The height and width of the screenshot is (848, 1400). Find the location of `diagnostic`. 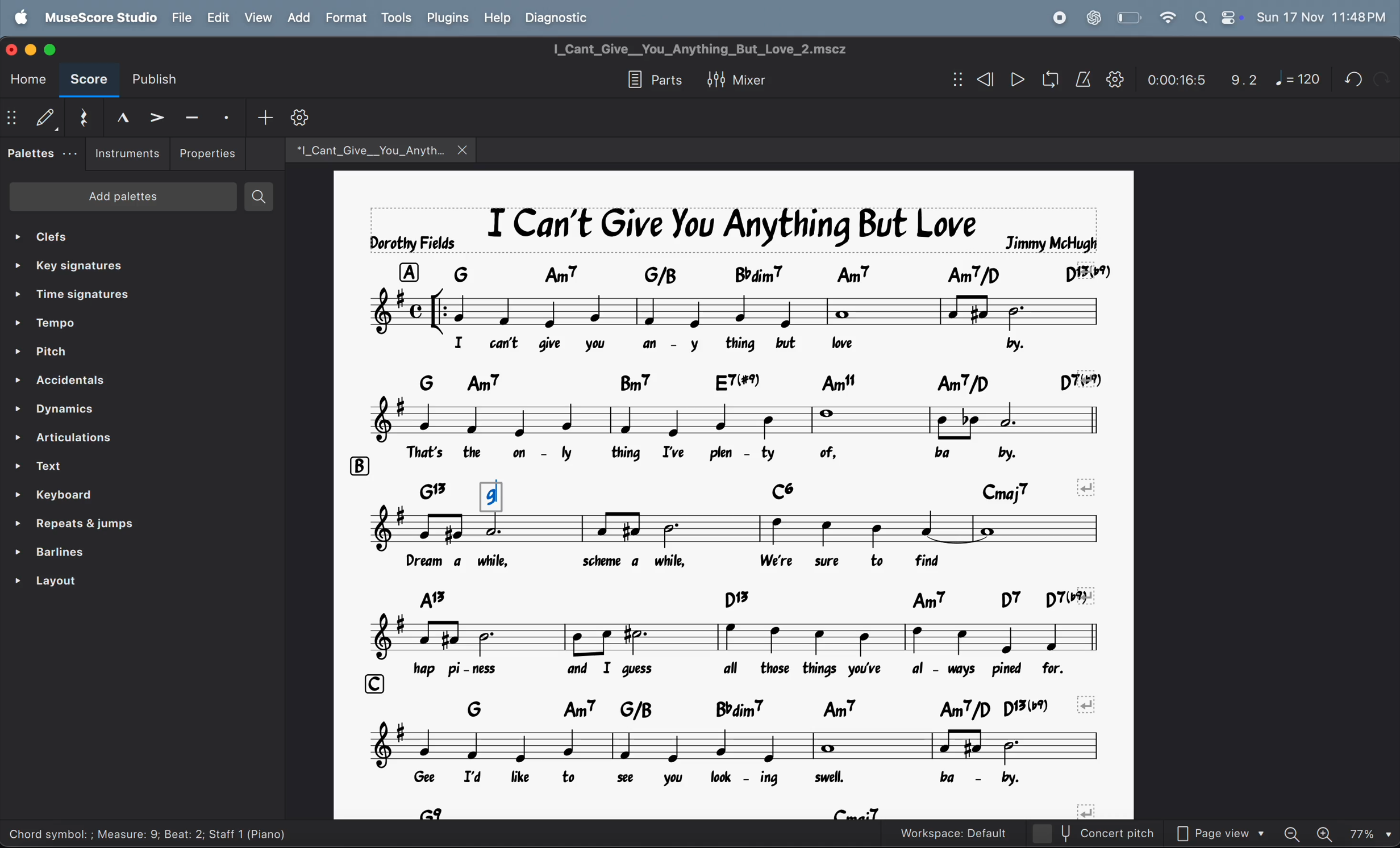

diagnostic is located at coordinates (564, 19).